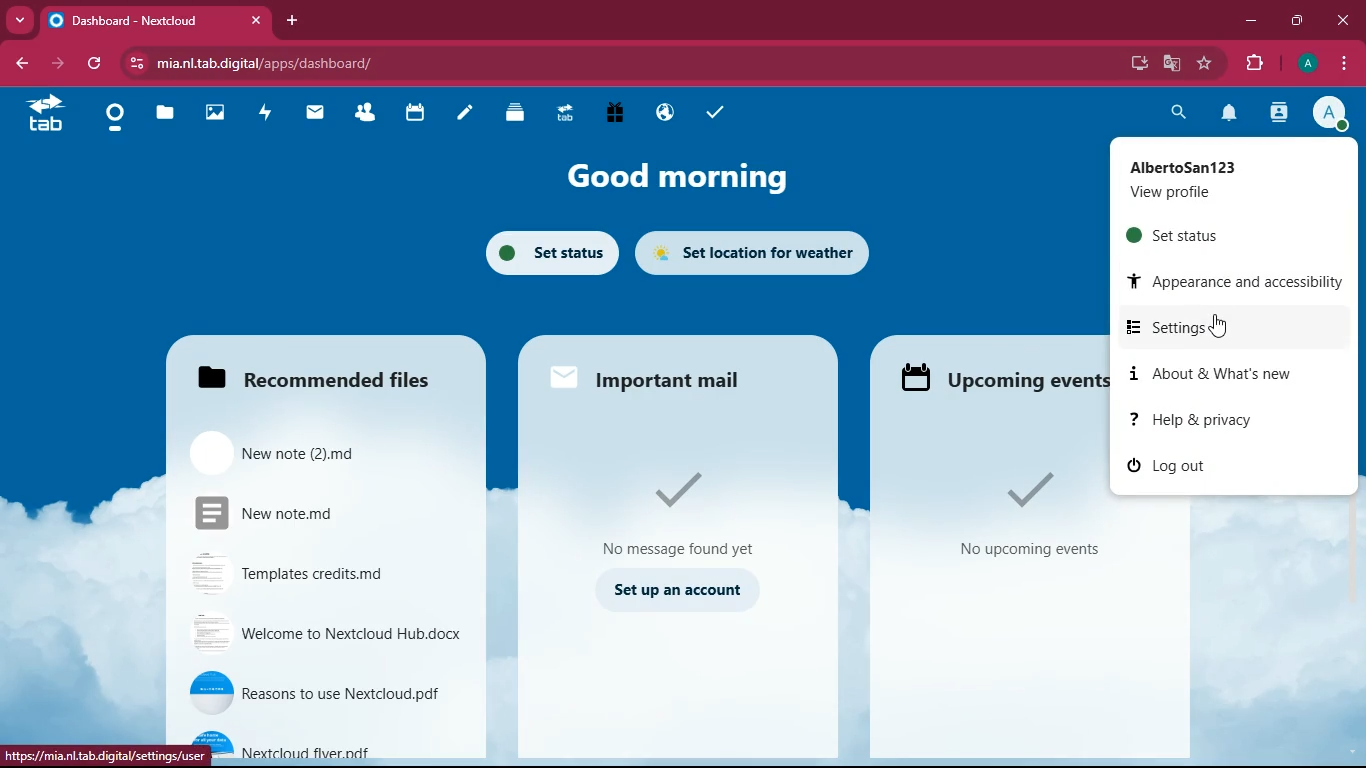 The width and height of the screenshot is (1366, 768). Describe the element at coordinates (320, 374) in the screenshot. I see `Recommended files` at that location.